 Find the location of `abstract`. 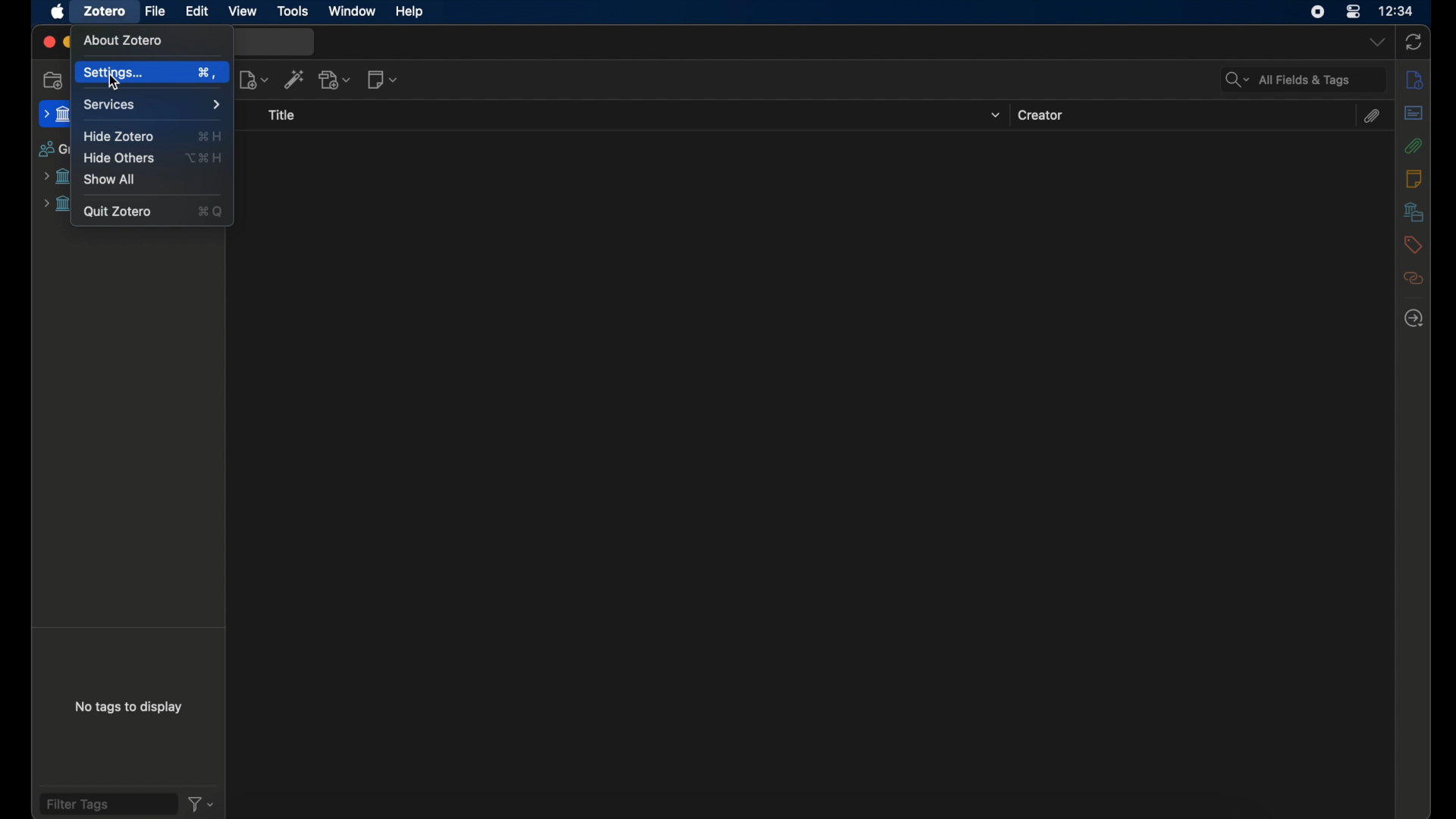

abstract is located at coordinates (1413, 113).